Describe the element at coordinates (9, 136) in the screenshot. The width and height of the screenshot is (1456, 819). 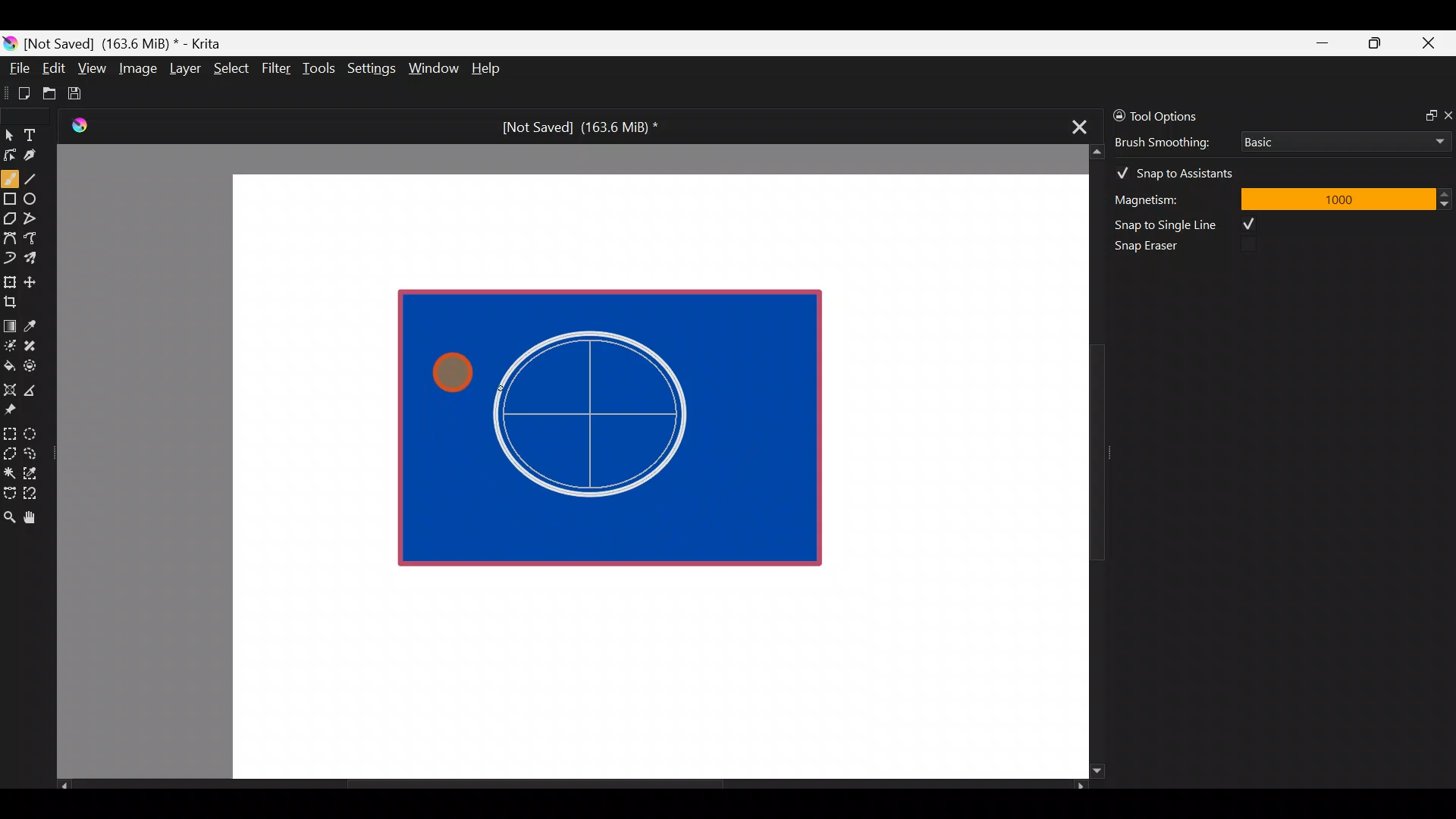
I see `Select shapes tool` at that location.